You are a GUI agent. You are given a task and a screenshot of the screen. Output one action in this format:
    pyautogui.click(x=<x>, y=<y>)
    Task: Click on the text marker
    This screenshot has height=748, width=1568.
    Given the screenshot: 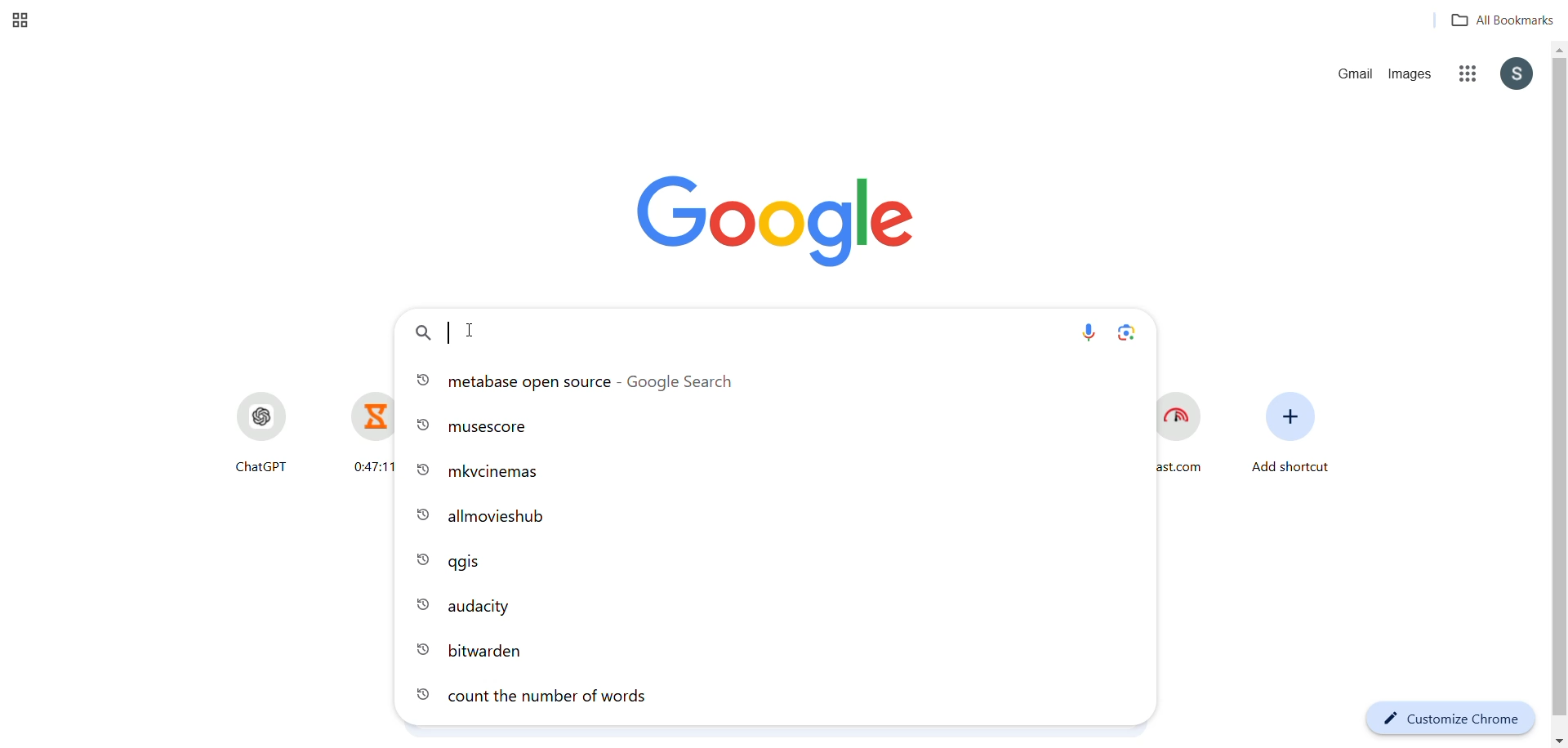 What is the action you would take?
    pyautogui.click(x=448, y=332)
    